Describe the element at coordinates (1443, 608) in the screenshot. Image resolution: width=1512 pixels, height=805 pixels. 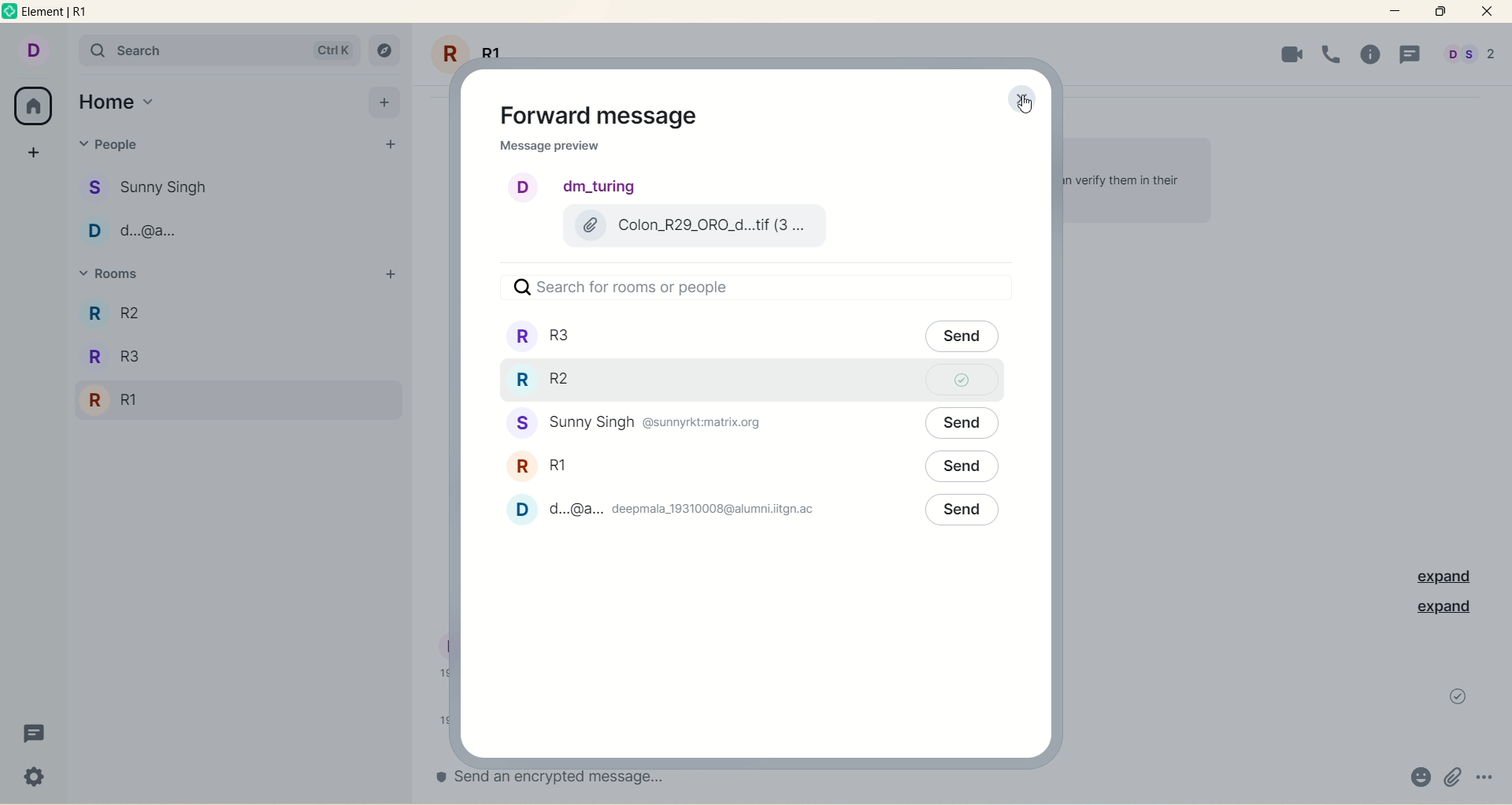
I see `expand` at that location.